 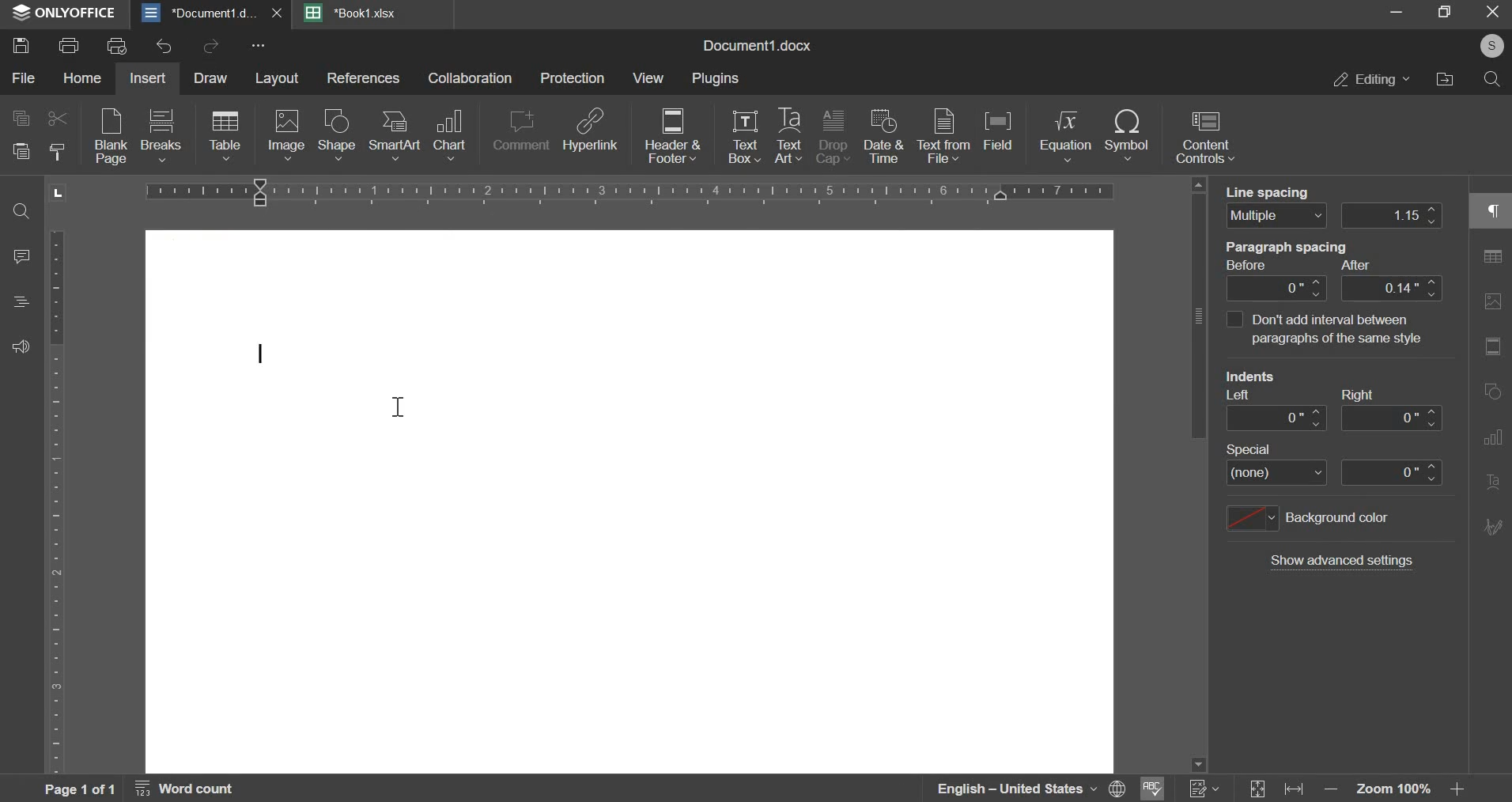 I want to click on find, so click(x=21, y=212).